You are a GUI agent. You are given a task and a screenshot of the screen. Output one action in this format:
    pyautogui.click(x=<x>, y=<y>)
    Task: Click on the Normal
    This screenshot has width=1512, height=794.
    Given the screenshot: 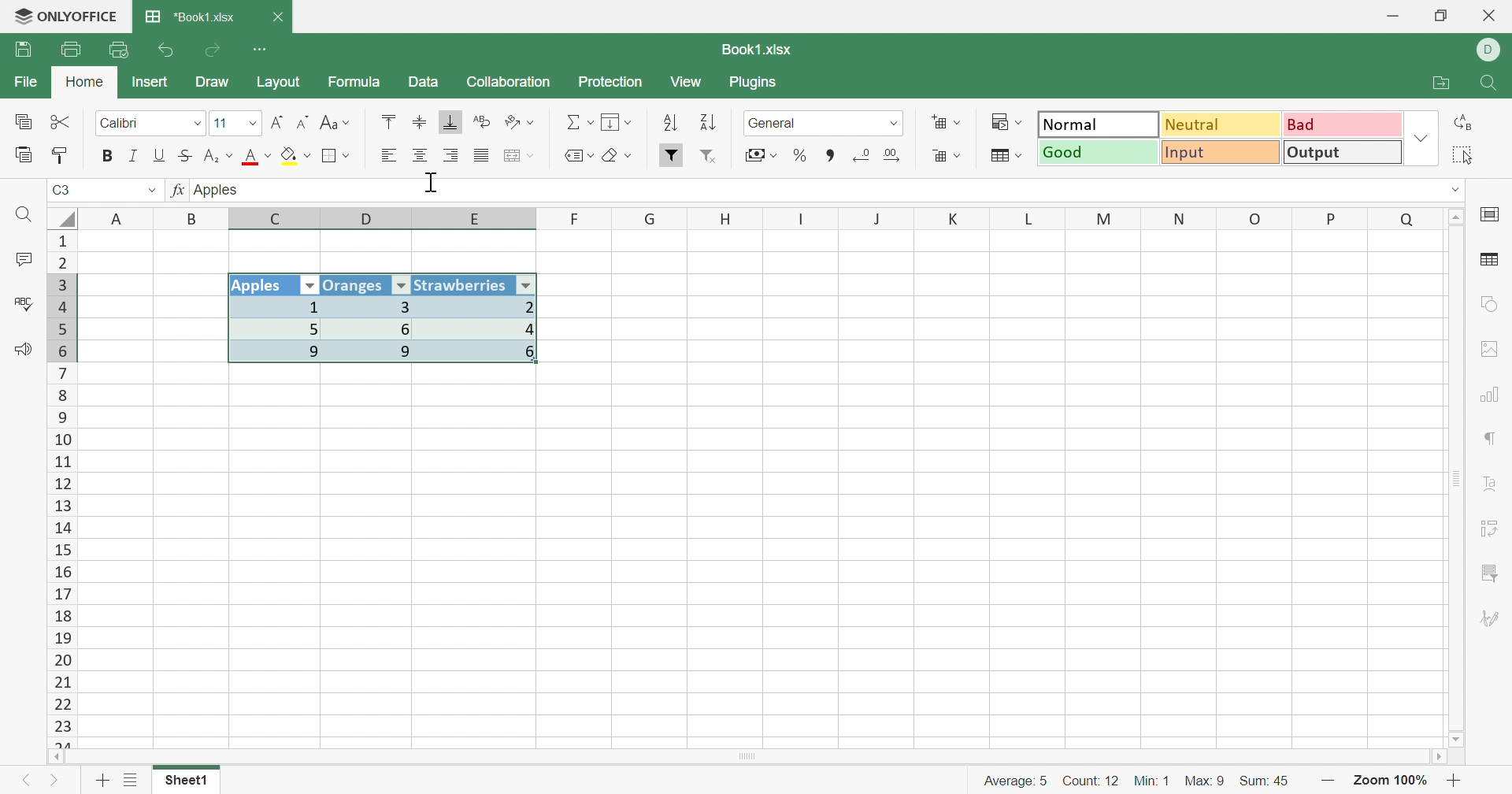 What is the action you would take?
    pyautogui.click(x=1098, y=124)
    